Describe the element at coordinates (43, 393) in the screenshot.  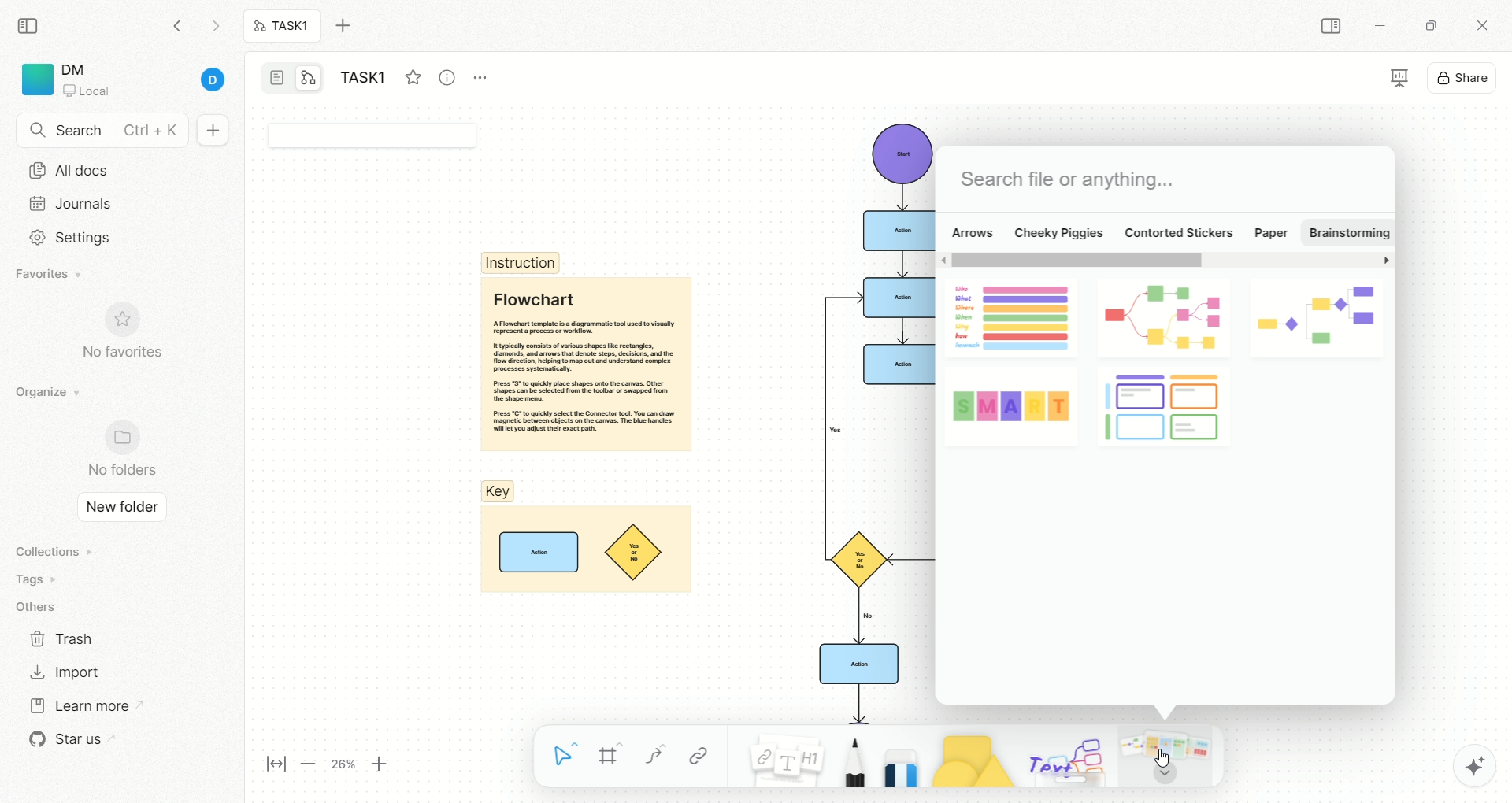
I see `organize` at that location.